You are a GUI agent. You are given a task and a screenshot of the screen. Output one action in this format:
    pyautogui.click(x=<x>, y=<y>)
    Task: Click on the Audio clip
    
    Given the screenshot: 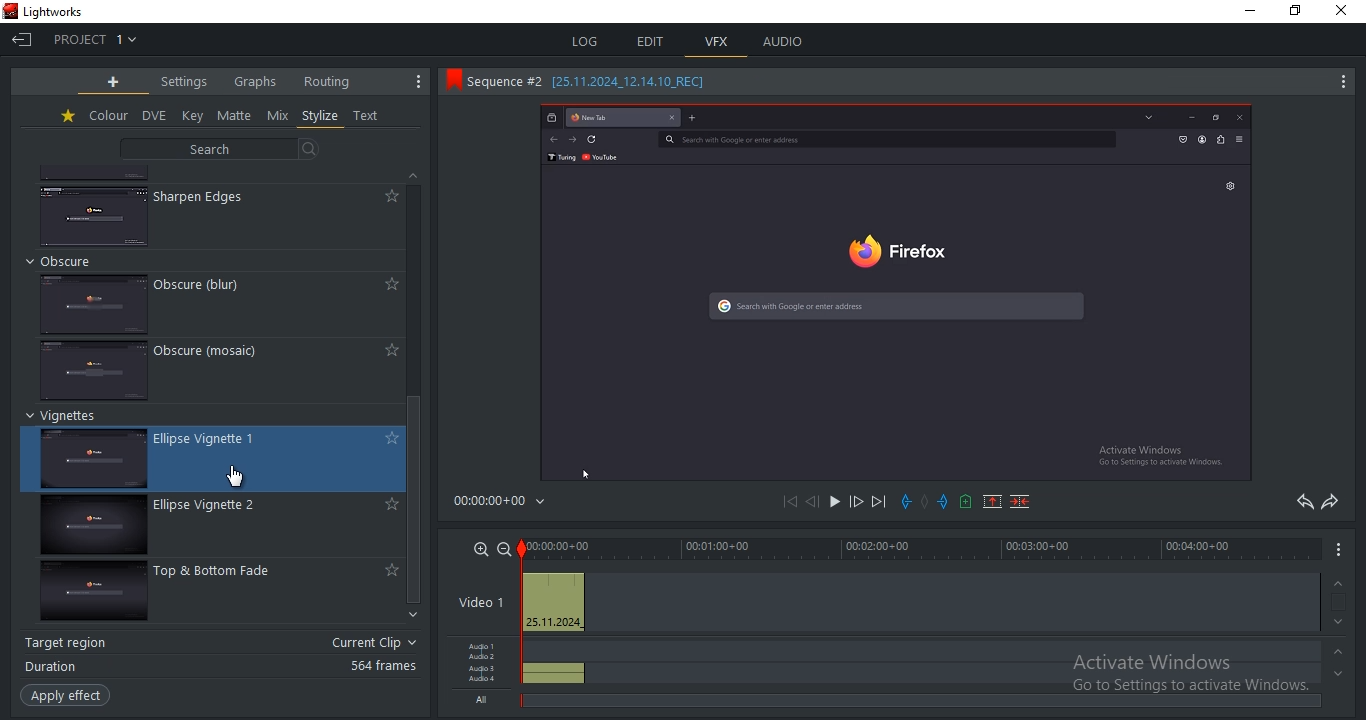 What is the action you would take?
    pyautogui.click(x=555, y=667)
    